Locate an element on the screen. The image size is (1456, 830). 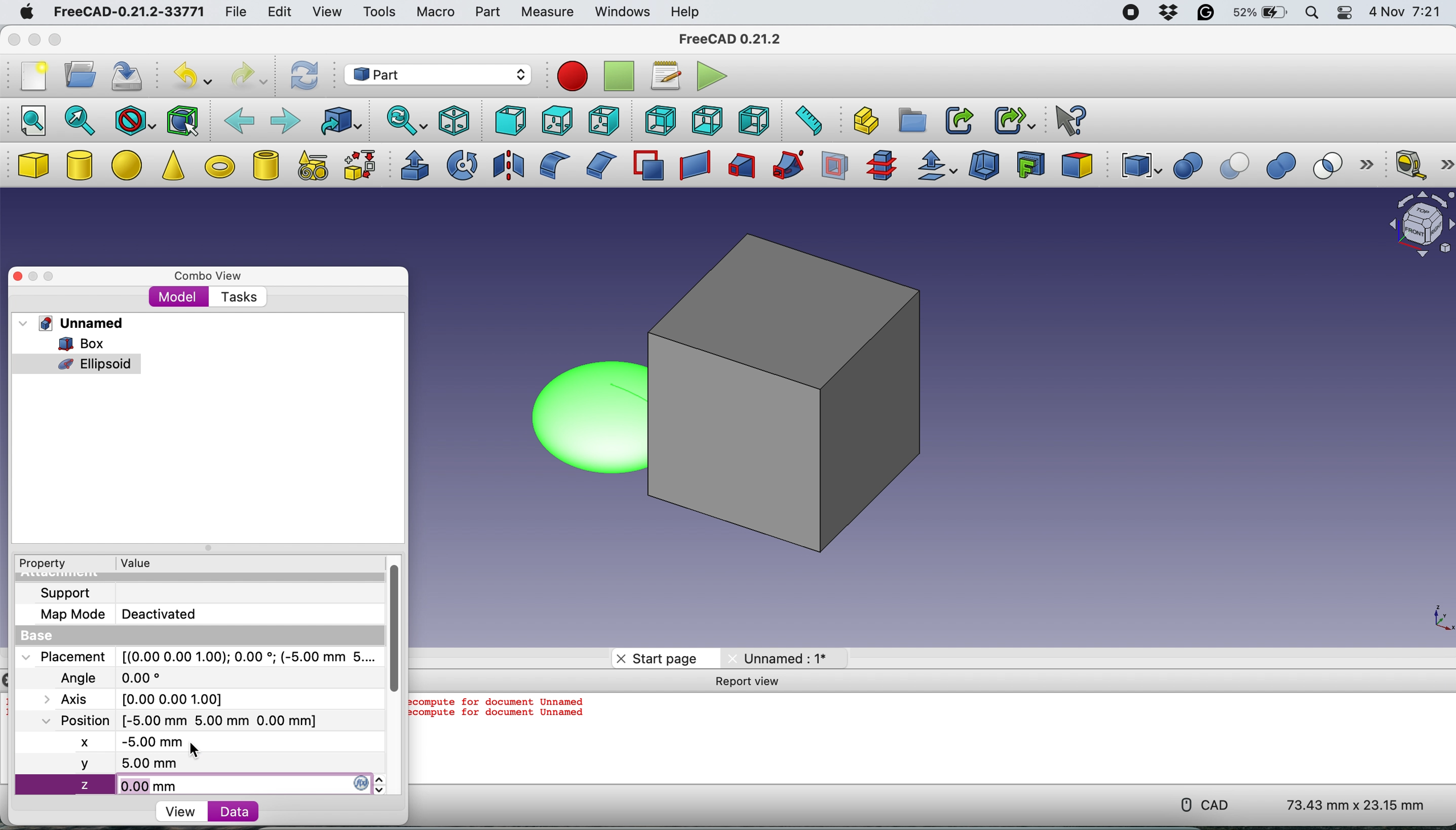
property is located at coordinates (41, 564).